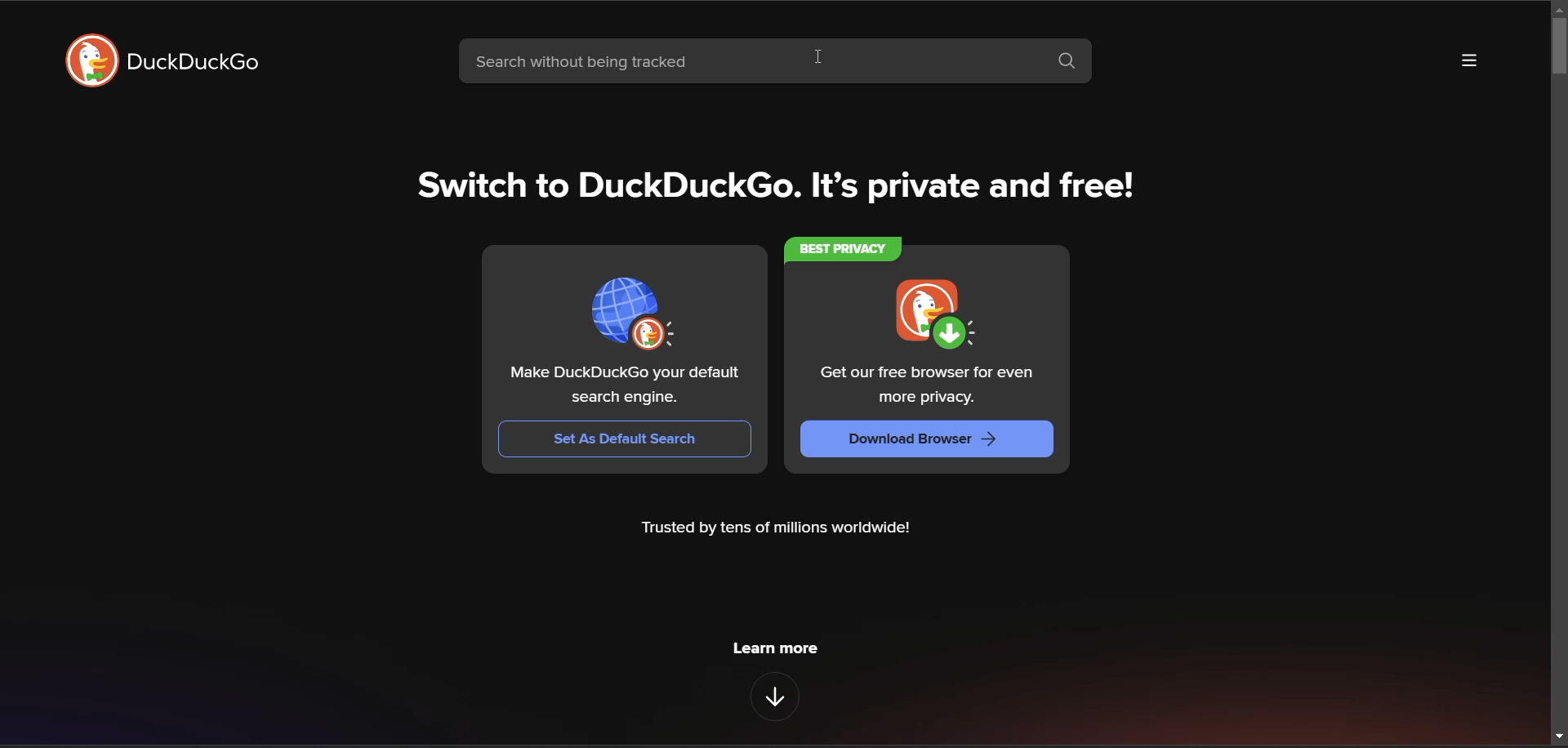  I want to click on search button, so click(1067, 62).